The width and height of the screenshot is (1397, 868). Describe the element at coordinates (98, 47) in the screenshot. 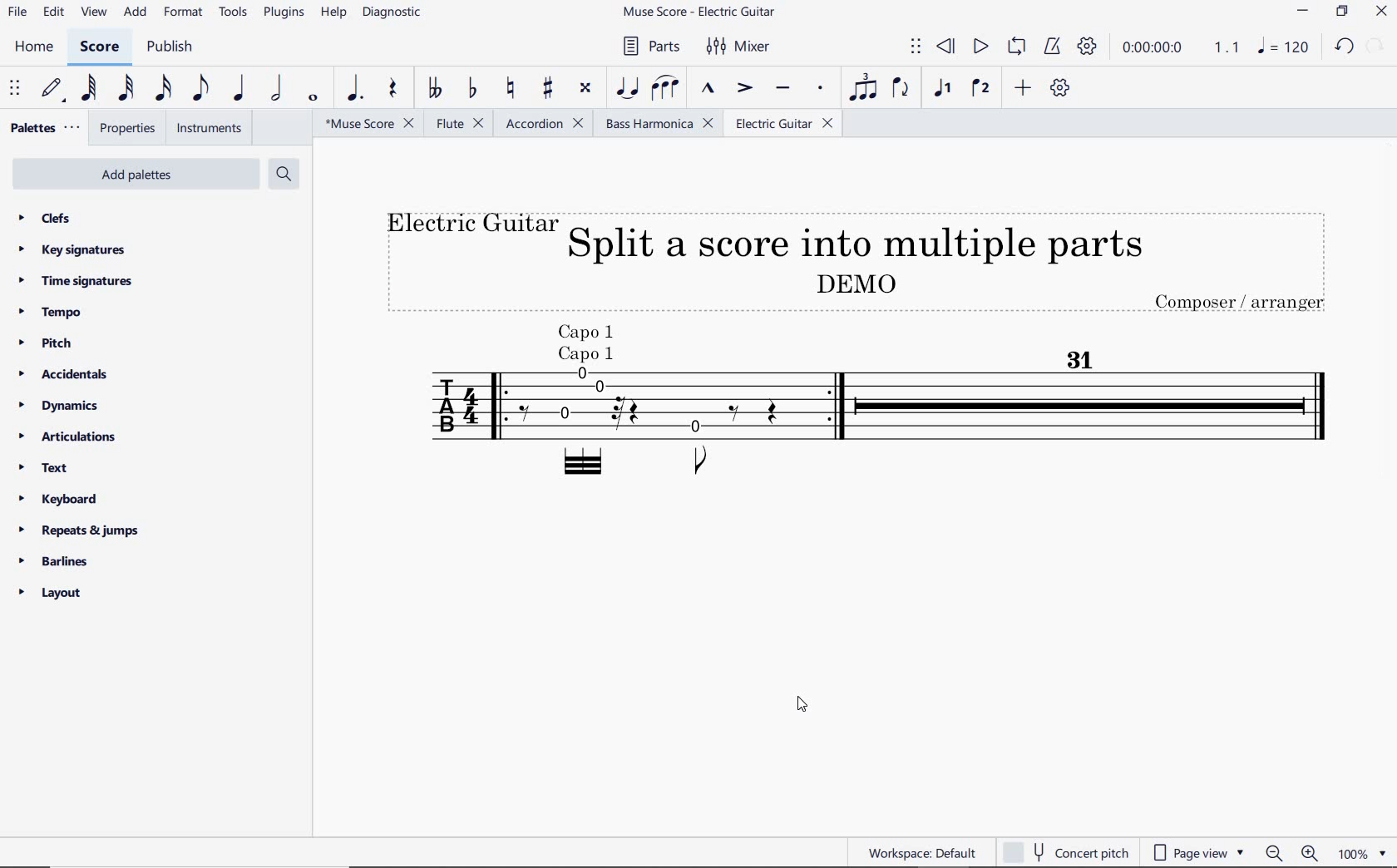

I see `score` at that location.